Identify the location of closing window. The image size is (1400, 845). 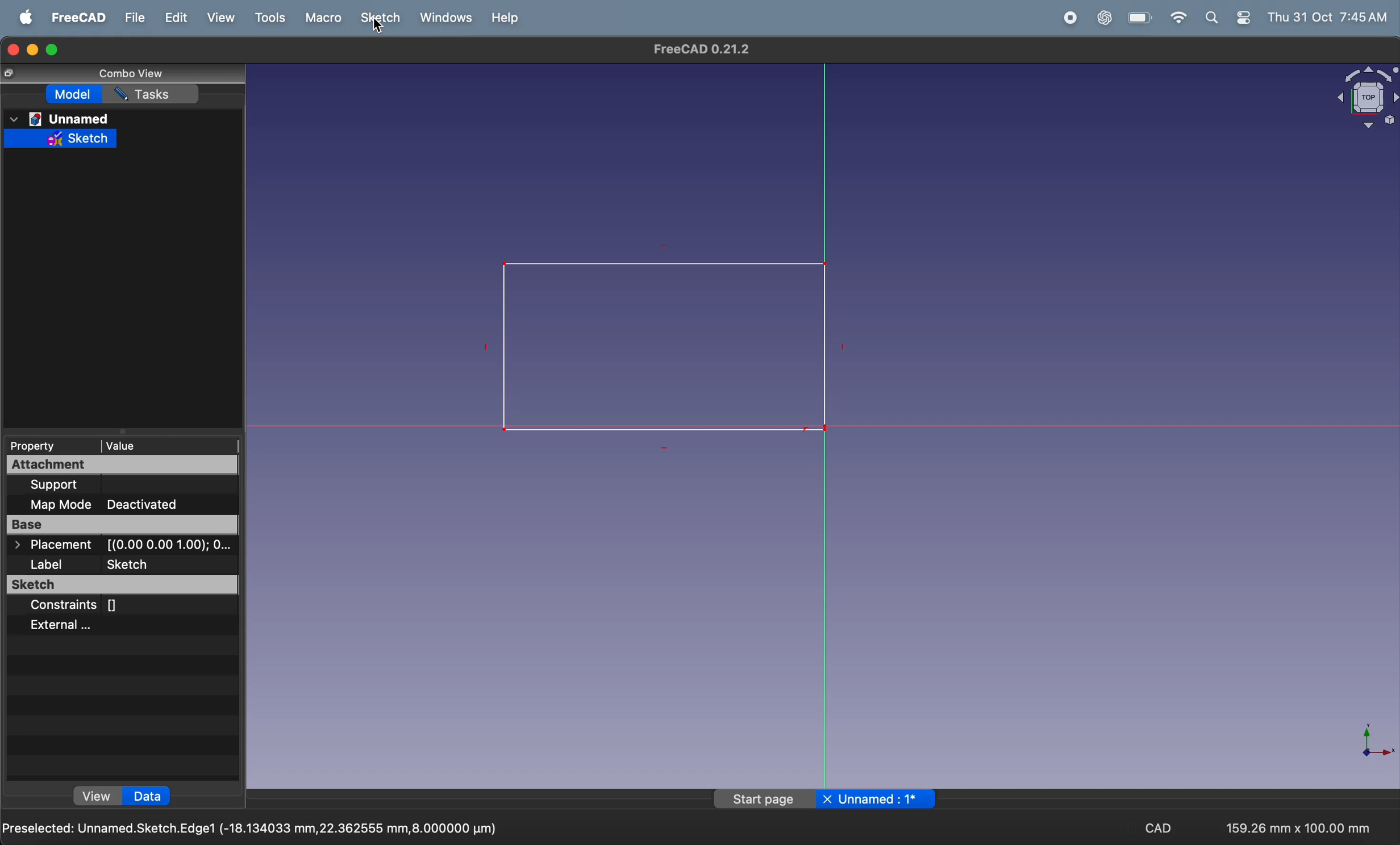
(12, 49).